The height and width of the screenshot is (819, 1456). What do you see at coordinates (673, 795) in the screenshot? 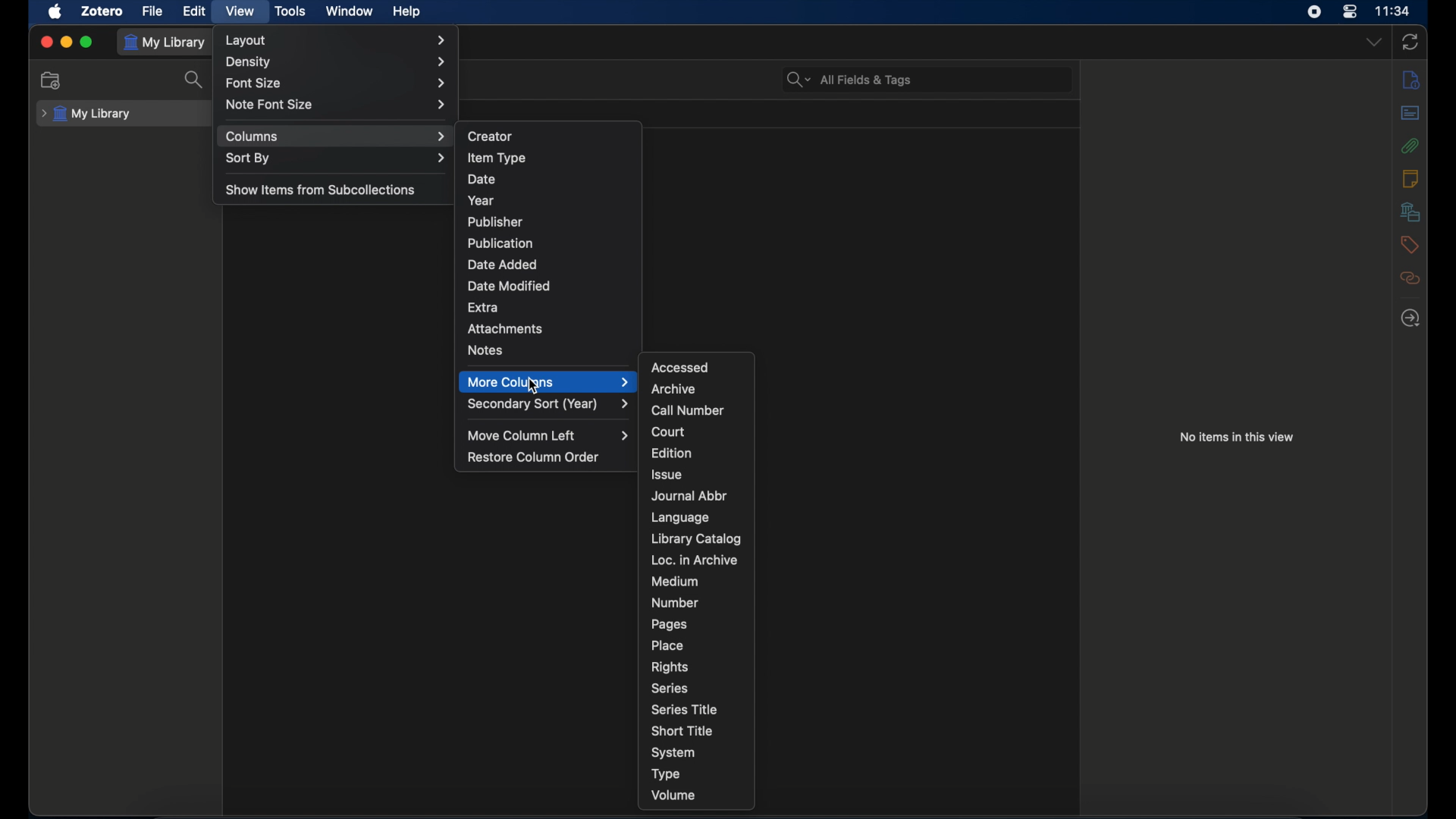
I see `volume` at bounding box center [673, 795].